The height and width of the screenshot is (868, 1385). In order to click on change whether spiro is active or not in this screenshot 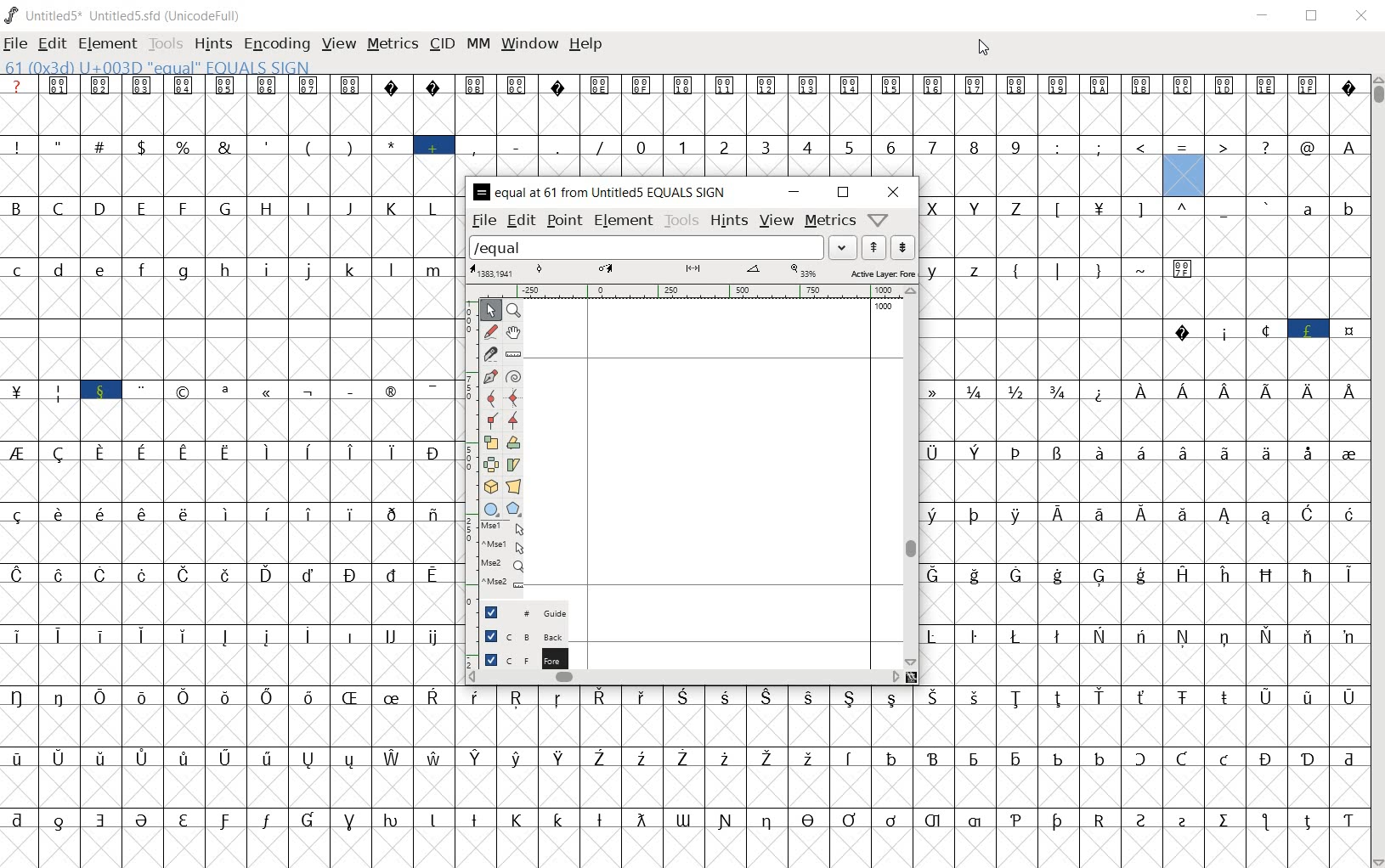, I will do `click(513, 376)`.